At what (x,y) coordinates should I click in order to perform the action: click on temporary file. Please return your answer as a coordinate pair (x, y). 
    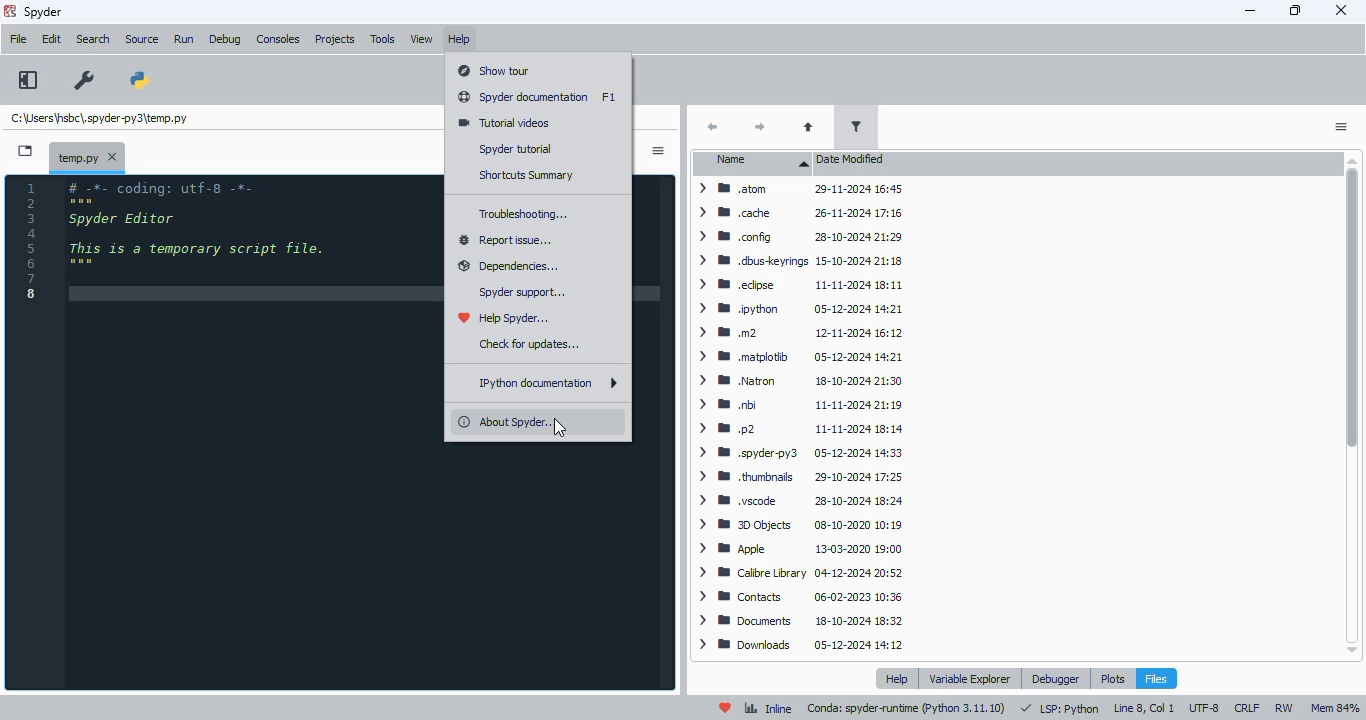
    Looking at the image, I should click on (102, 118).